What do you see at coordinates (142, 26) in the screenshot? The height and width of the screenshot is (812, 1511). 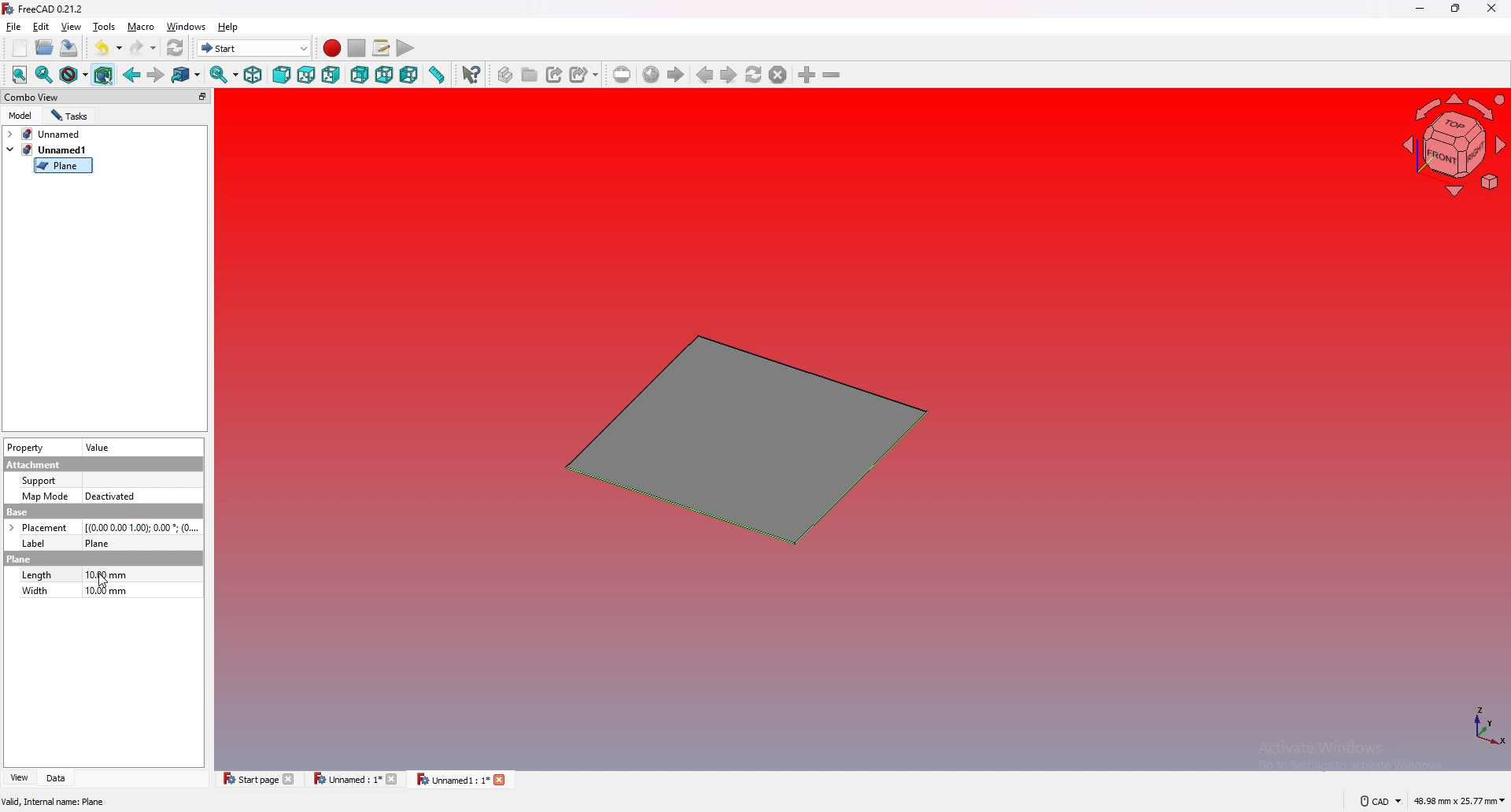 I see `macro` at bounding box center [142, 26].